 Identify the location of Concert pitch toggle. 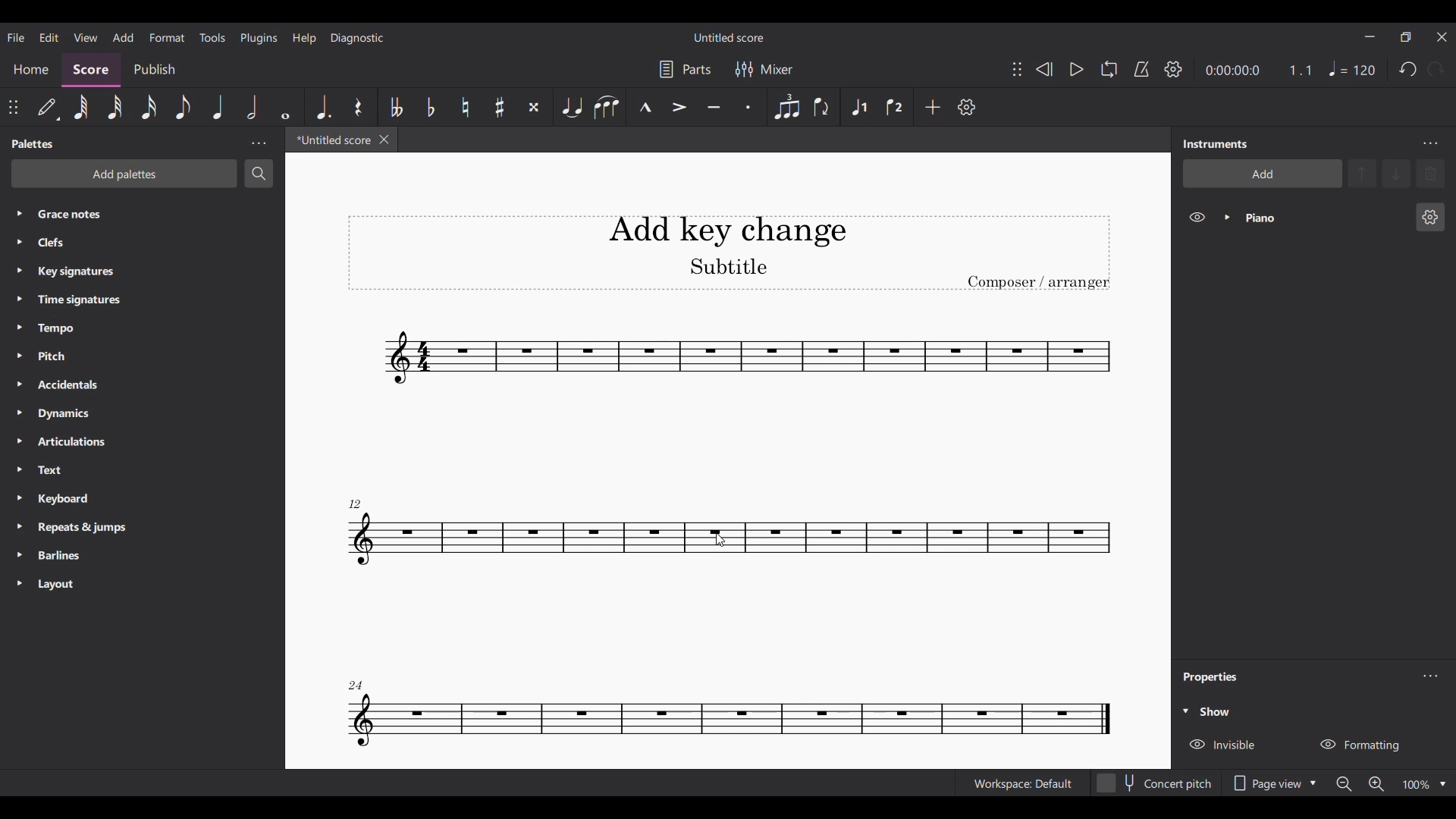
(1155, 784).